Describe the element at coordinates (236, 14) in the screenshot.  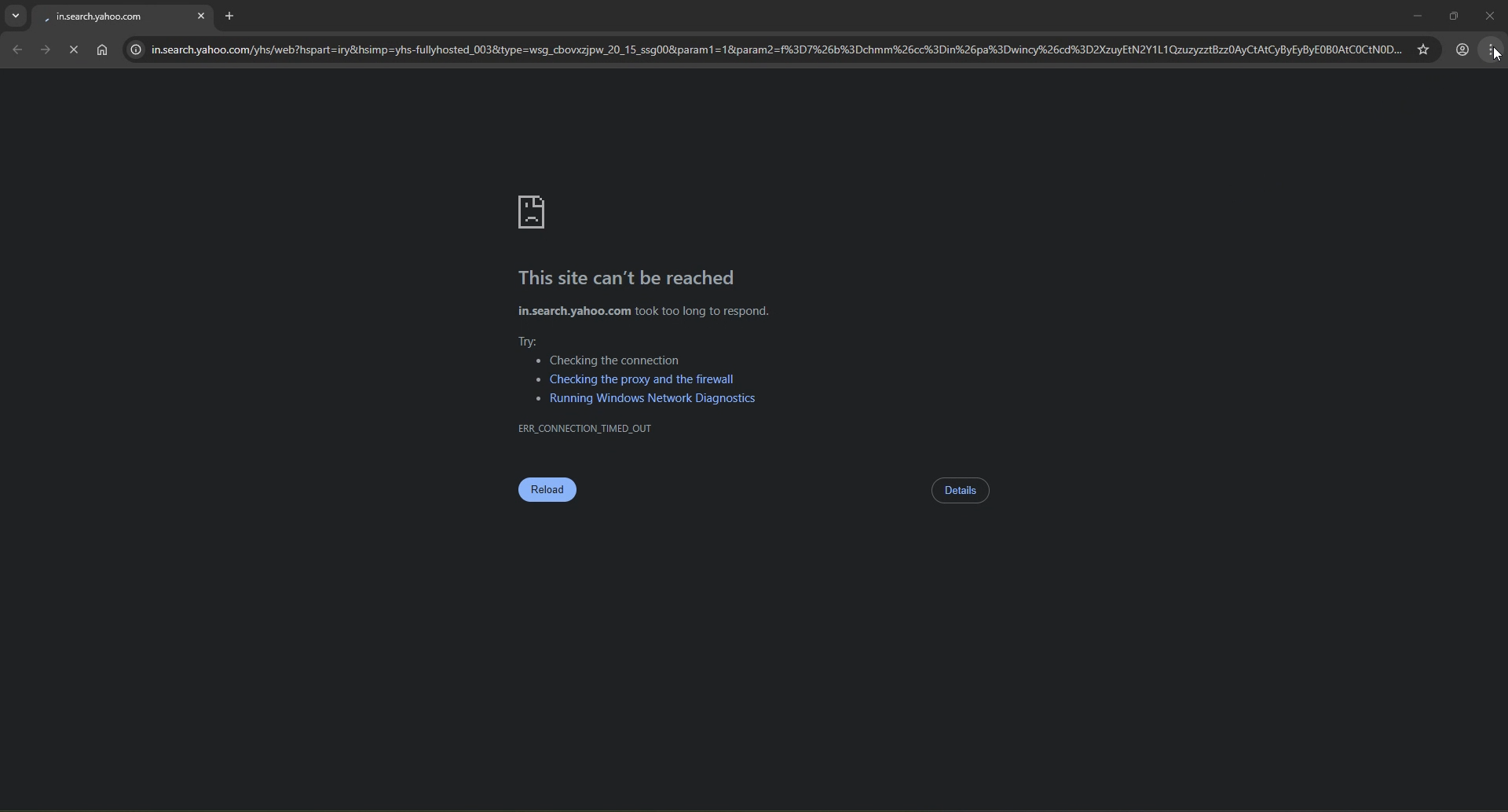
I see `add tab` at that location.